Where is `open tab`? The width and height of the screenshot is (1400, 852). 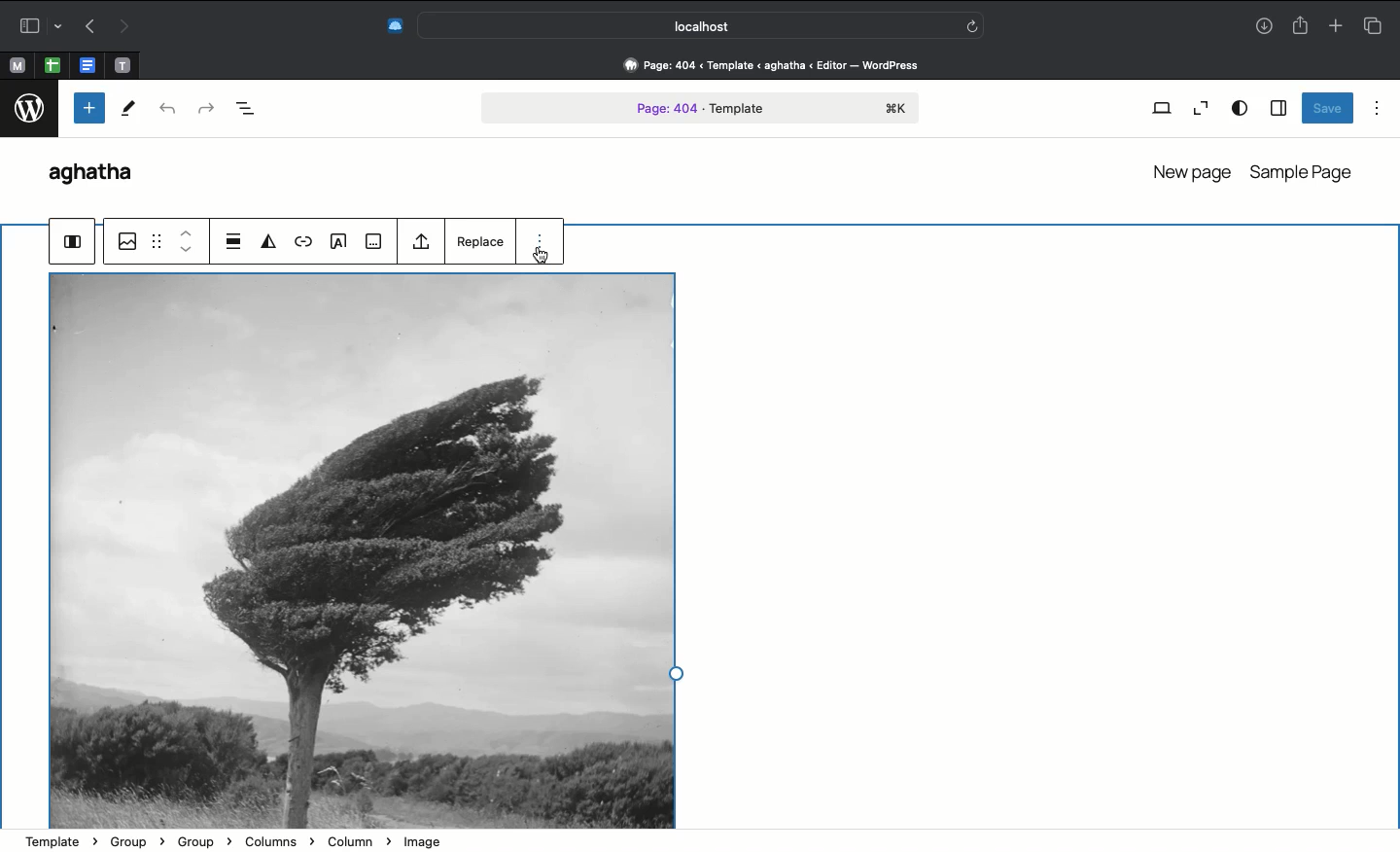
open tab is located at coordinates (17, 66).